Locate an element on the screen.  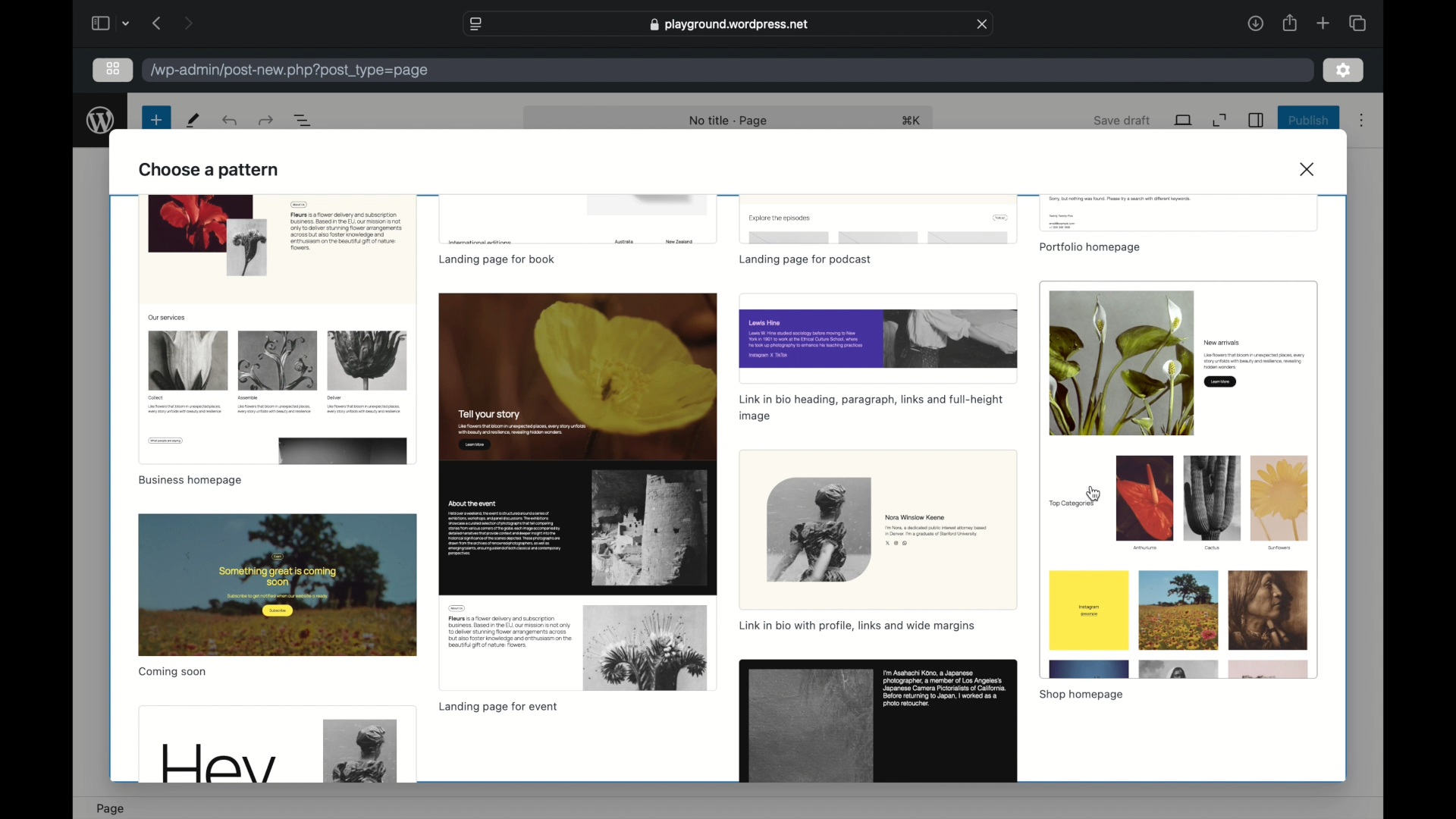
tools is located at coordinates (194, 121).